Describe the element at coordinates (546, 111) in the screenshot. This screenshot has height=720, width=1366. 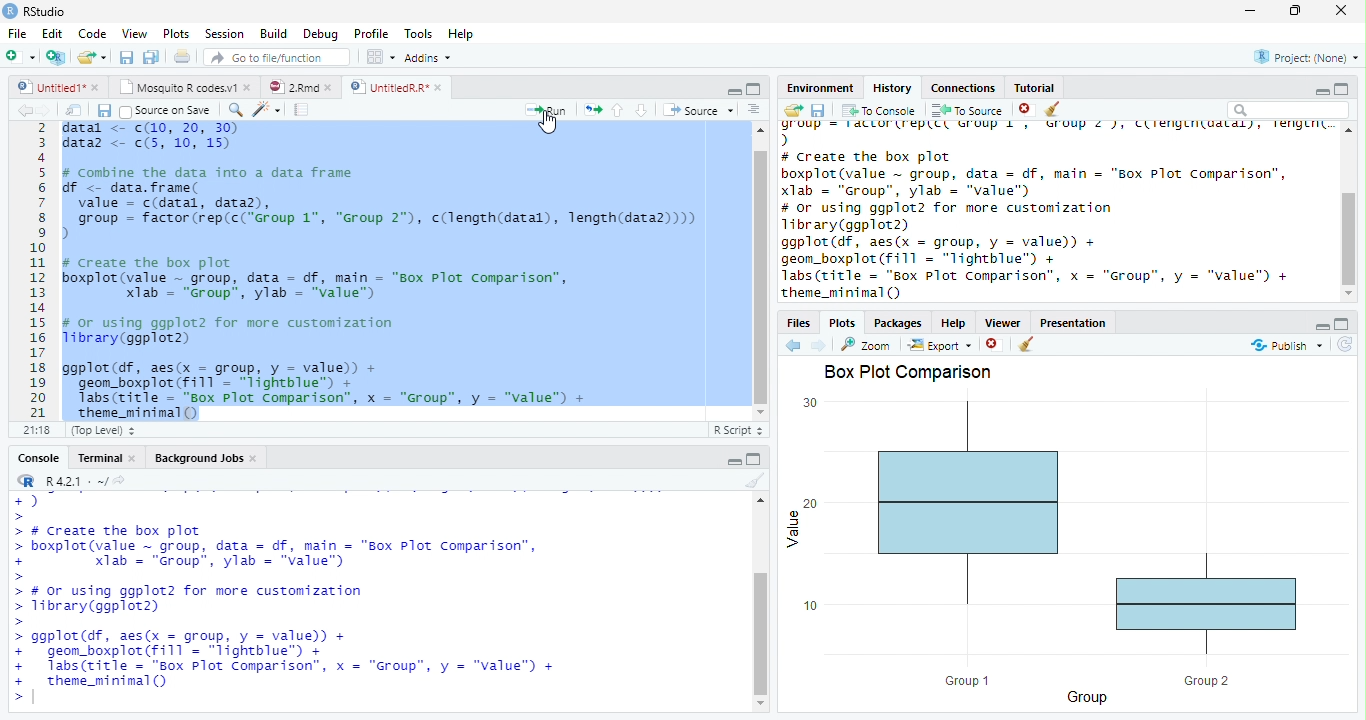
I see `Run` at that location.